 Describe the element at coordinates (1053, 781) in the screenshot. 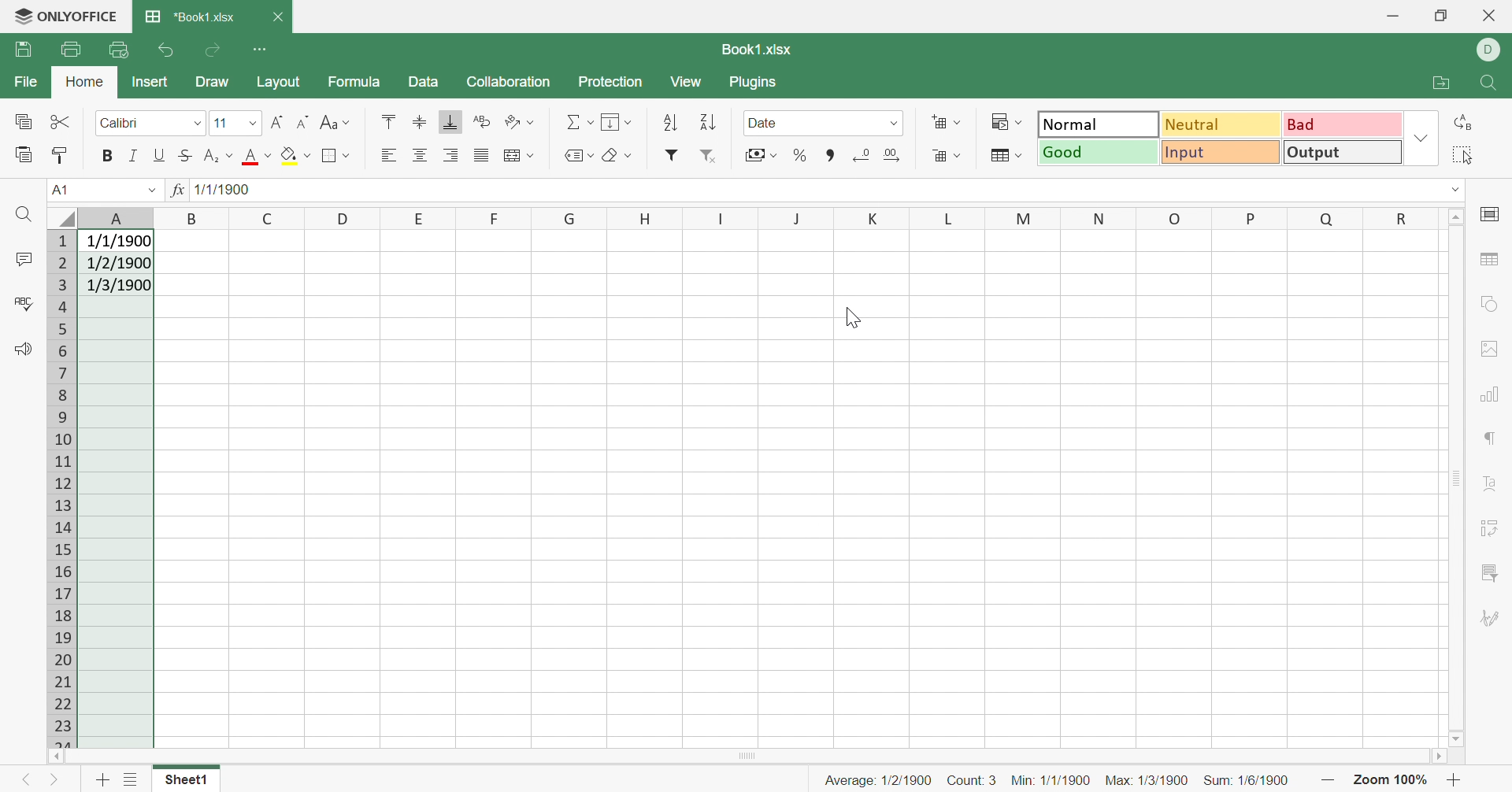

I see `Min: 1/1/1900` at that location.